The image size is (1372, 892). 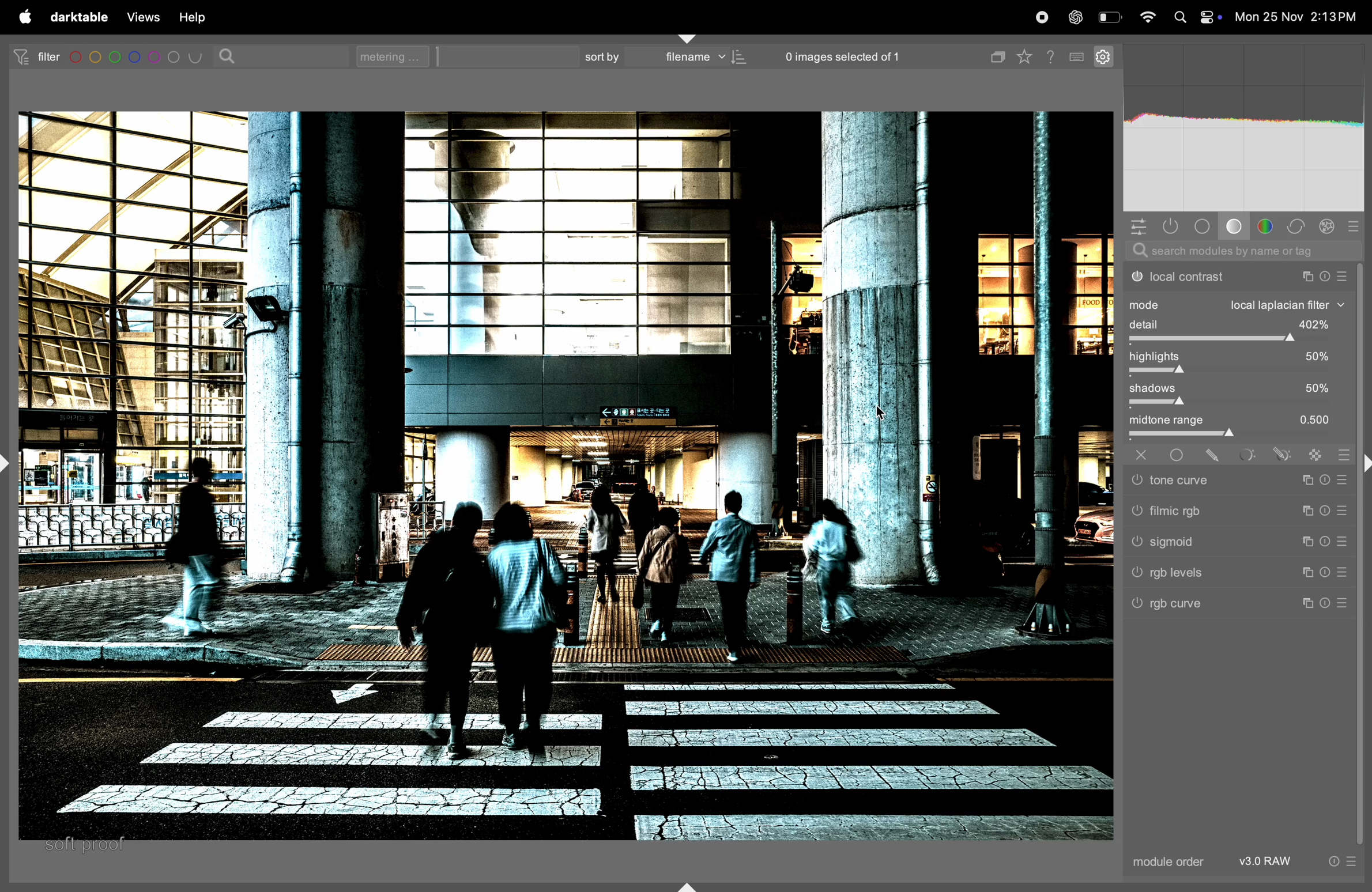 What do you see at coordinates (1210, 17) in the screenshot?
I see `apple widgets` at bounding box center [1210, 17].